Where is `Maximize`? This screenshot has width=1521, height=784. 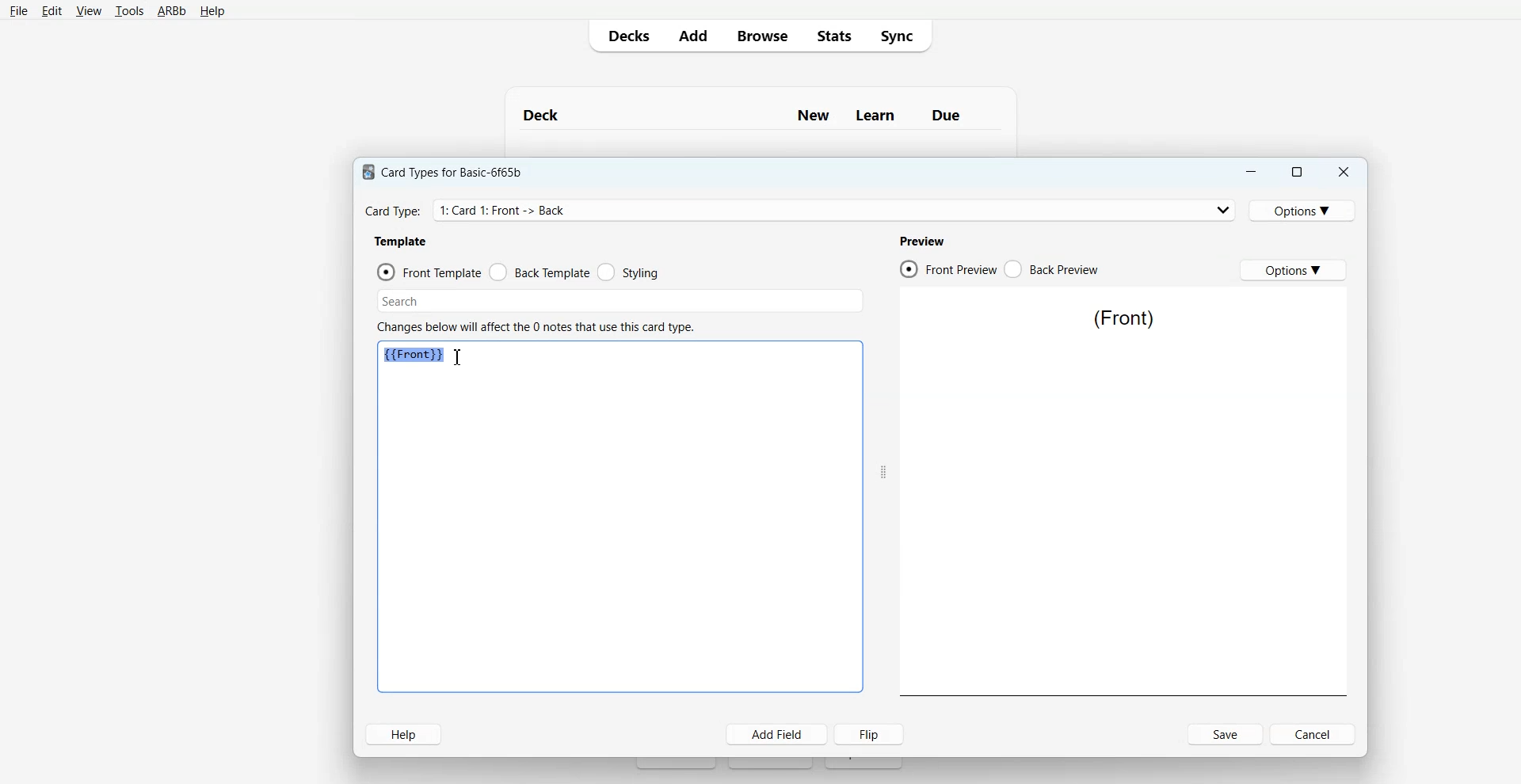 Maximize is located at coordinates (1298, 171).